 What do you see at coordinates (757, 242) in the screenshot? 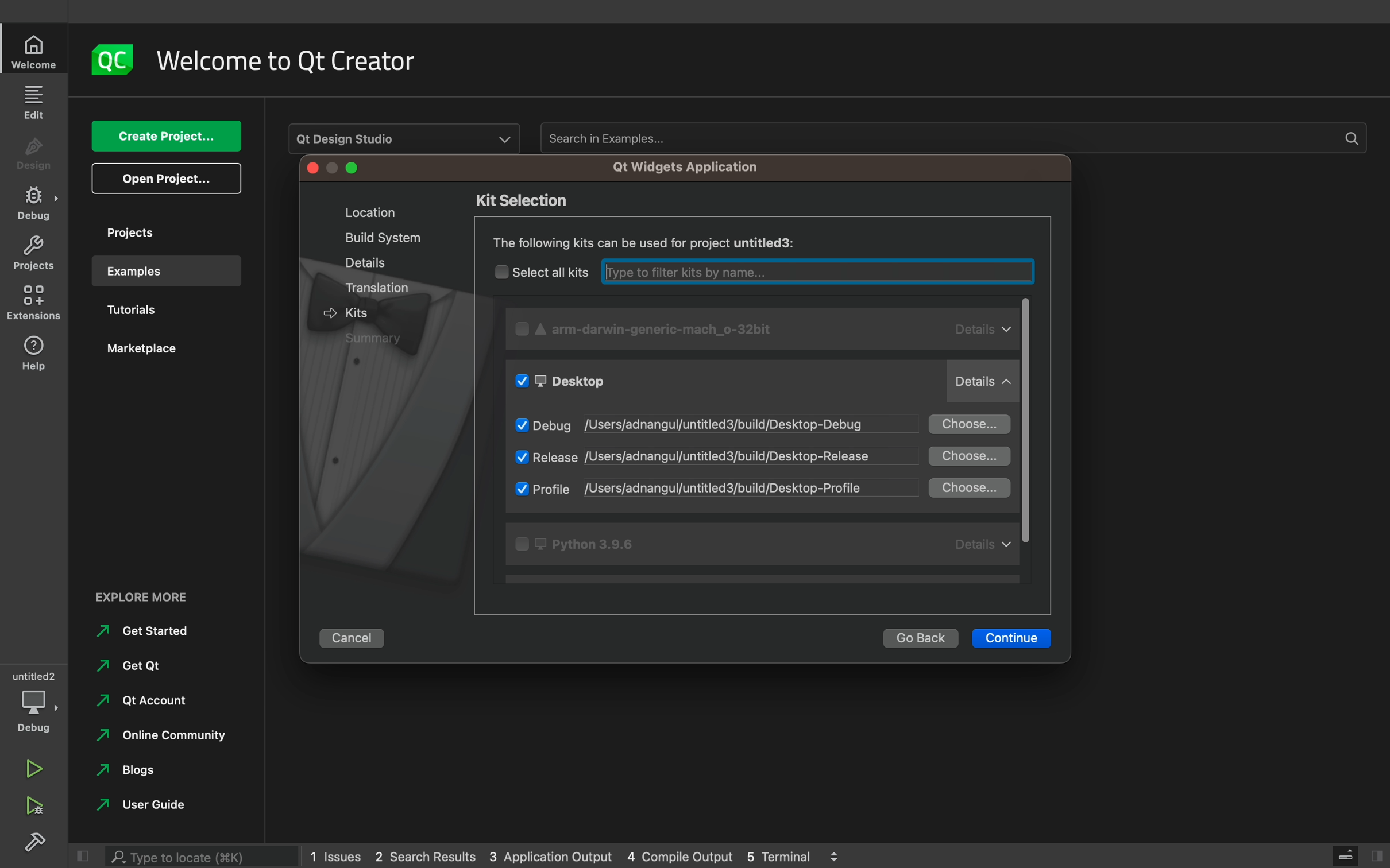
I see `select build system type` at bounding box center [757, 242].